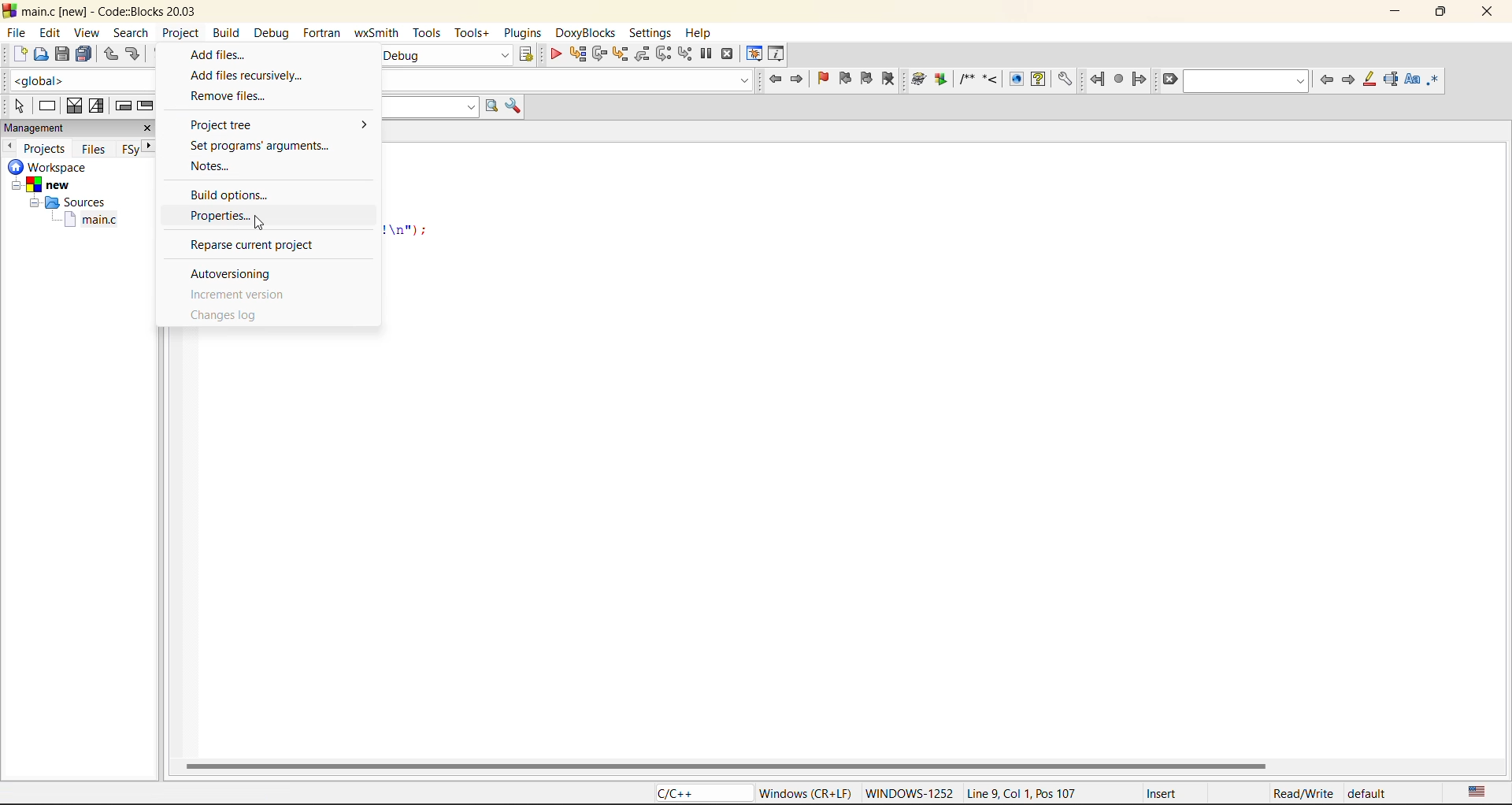 This screenshot has height=805, width=1512. What do you see at coordinates (151, 146) in the screenshot?
I see `next` at bounding box center [151, 146].